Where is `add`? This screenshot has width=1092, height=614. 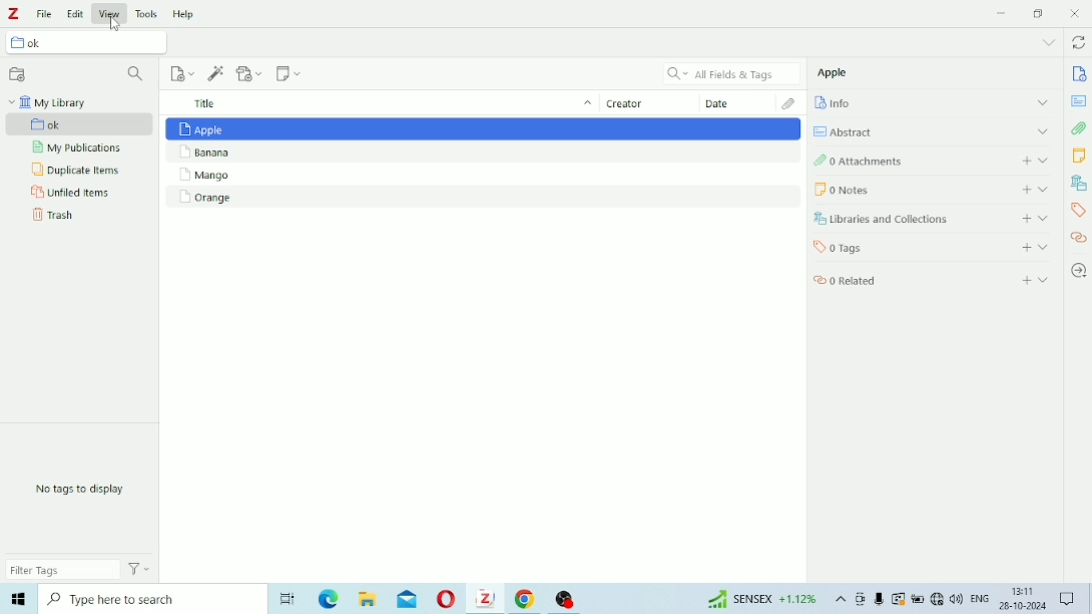
add is located at coordinates (1024, 247).